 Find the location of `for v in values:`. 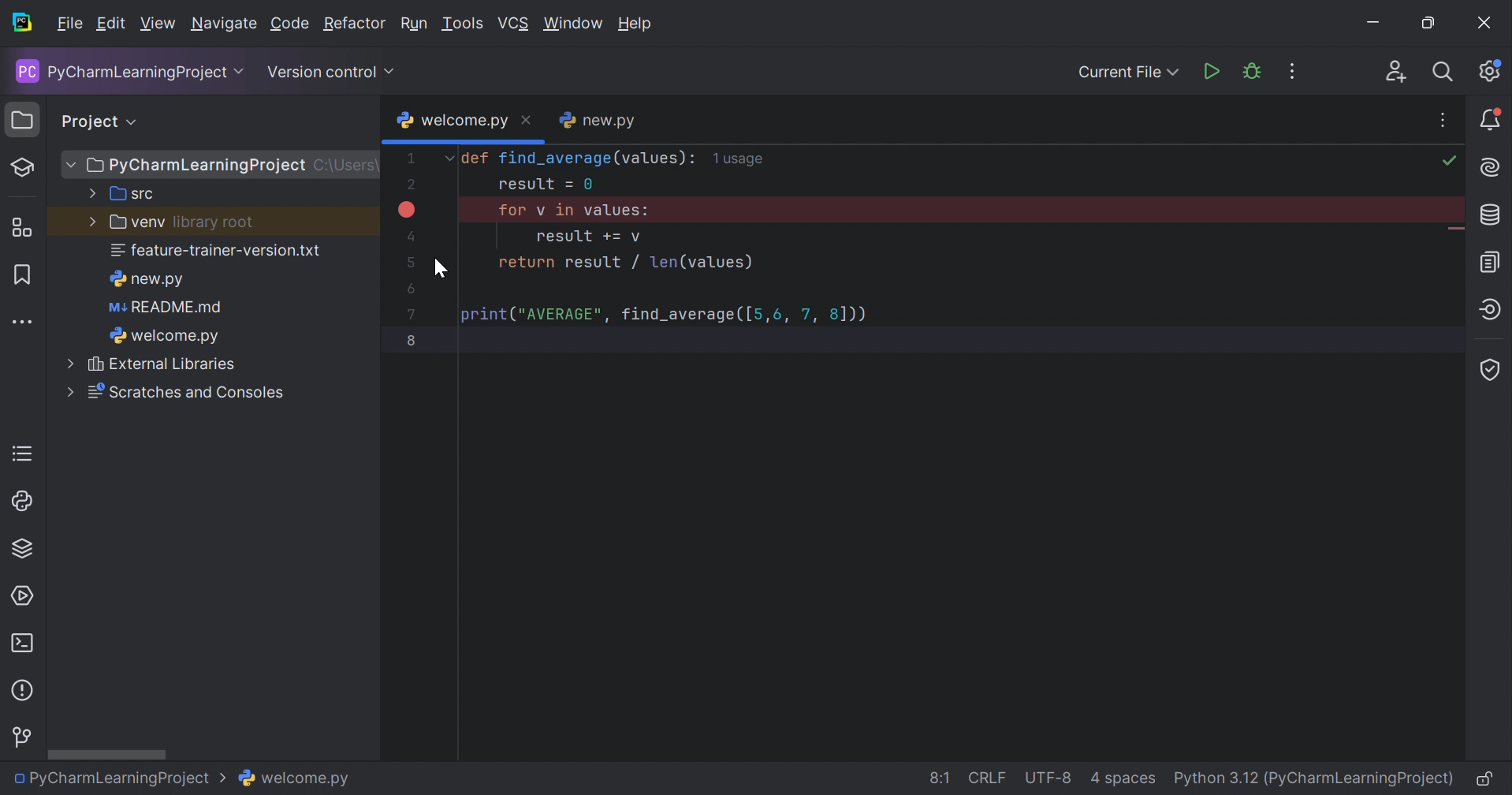

for v in values: is located at coordinates (575, 208).